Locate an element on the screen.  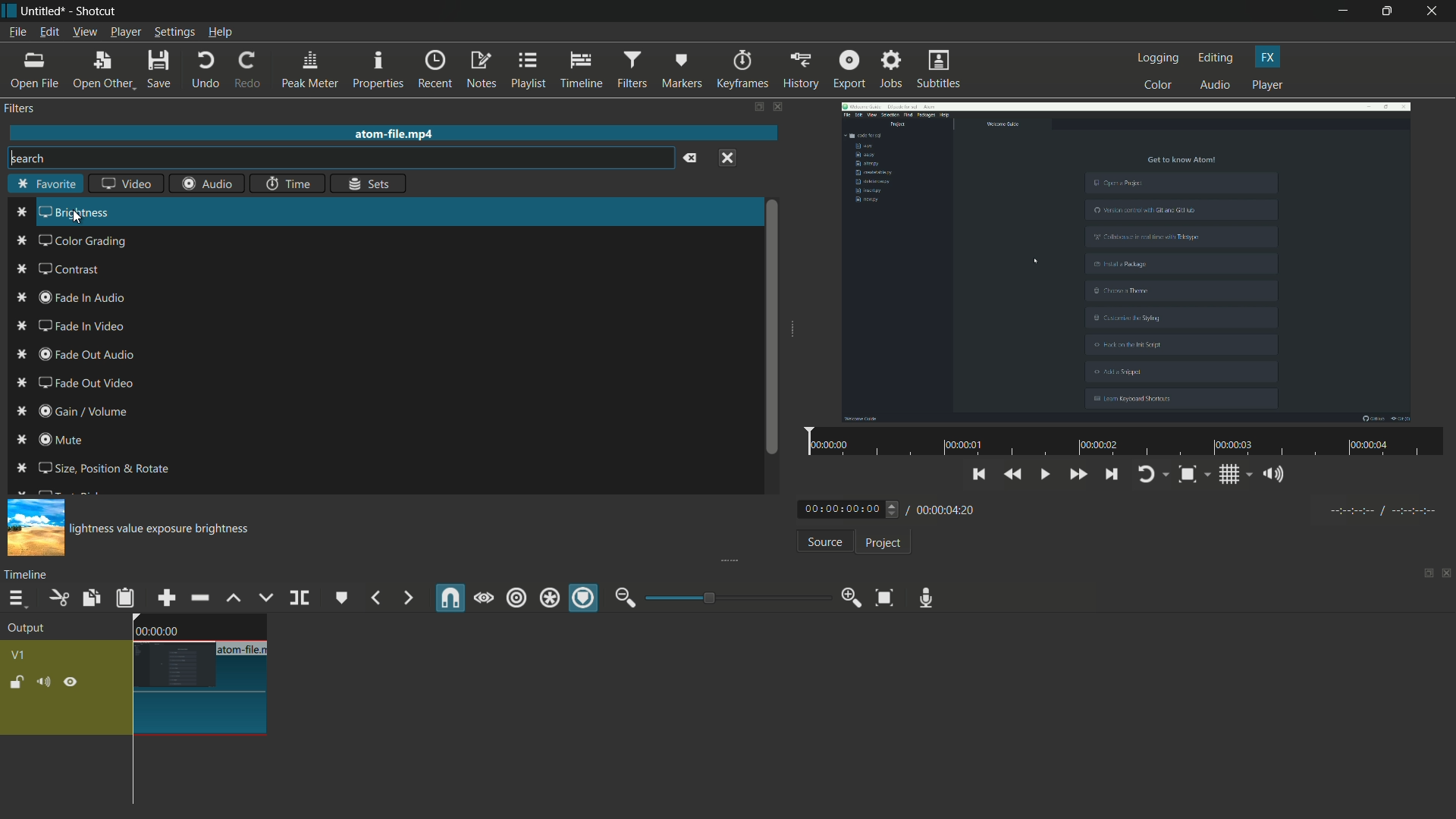
zoom timeline to fit is located at coordinates (884, 597).